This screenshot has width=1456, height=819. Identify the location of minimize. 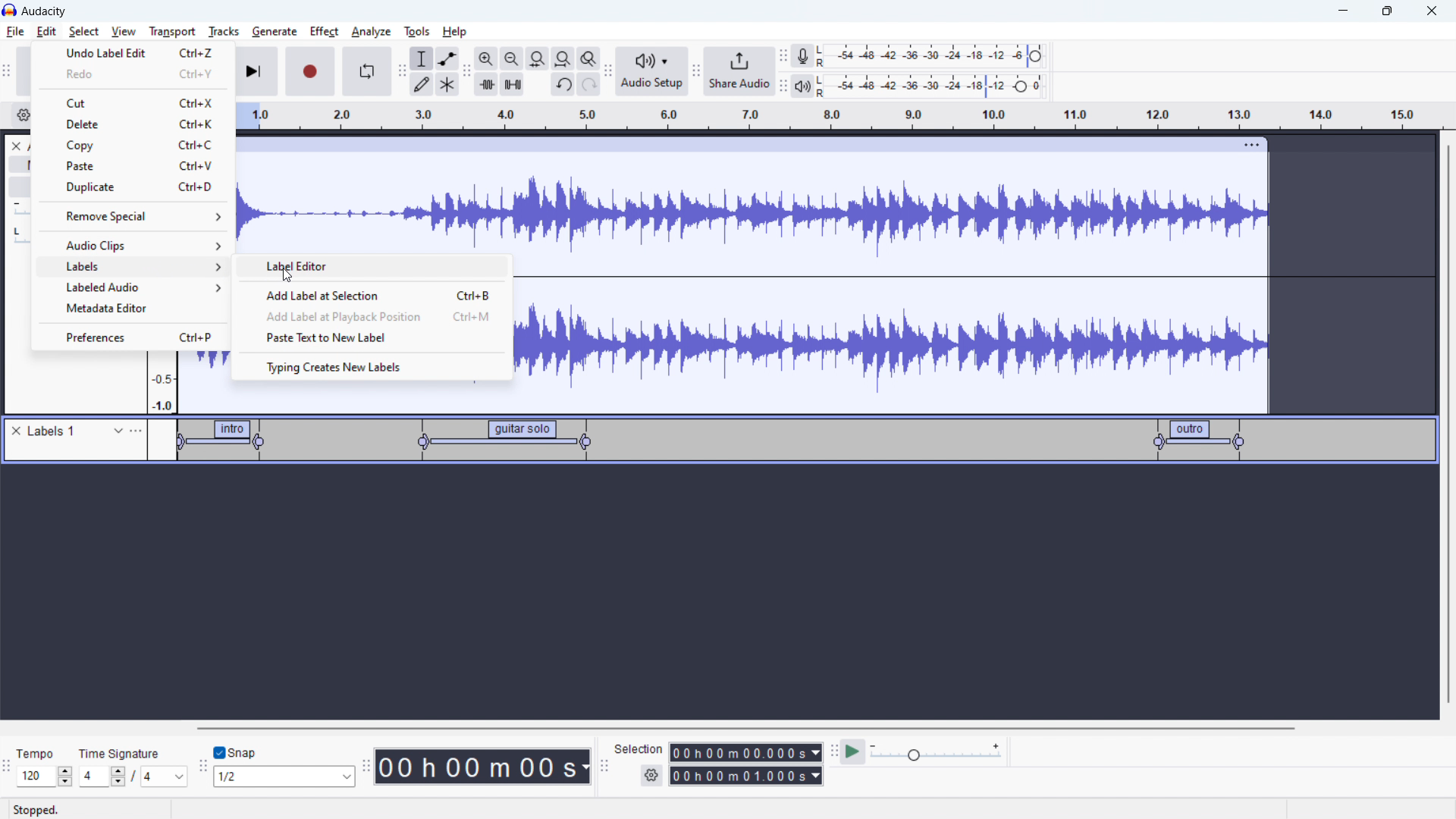
(1342, 11).